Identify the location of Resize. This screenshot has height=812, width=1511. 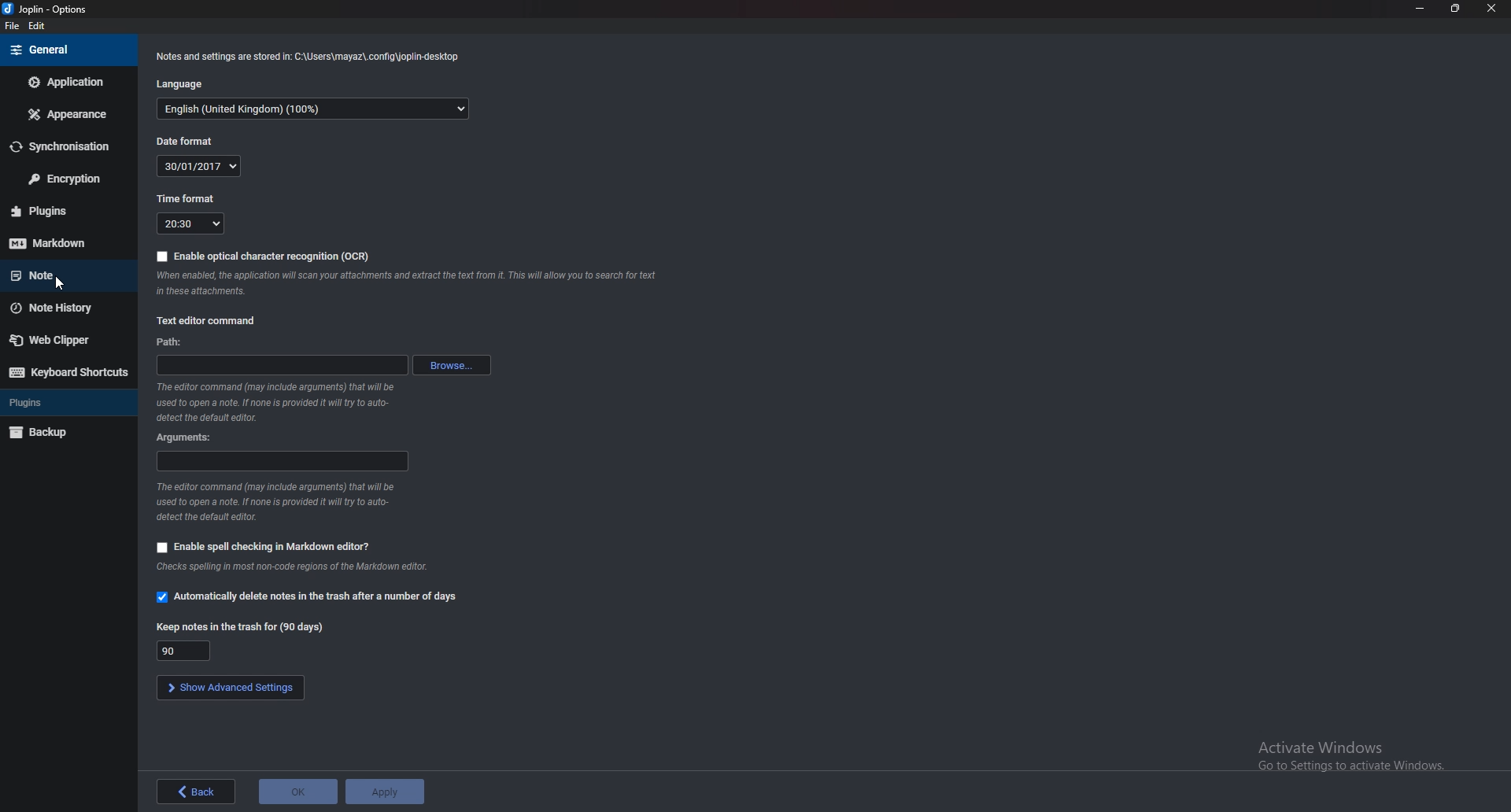
(1456, 8).